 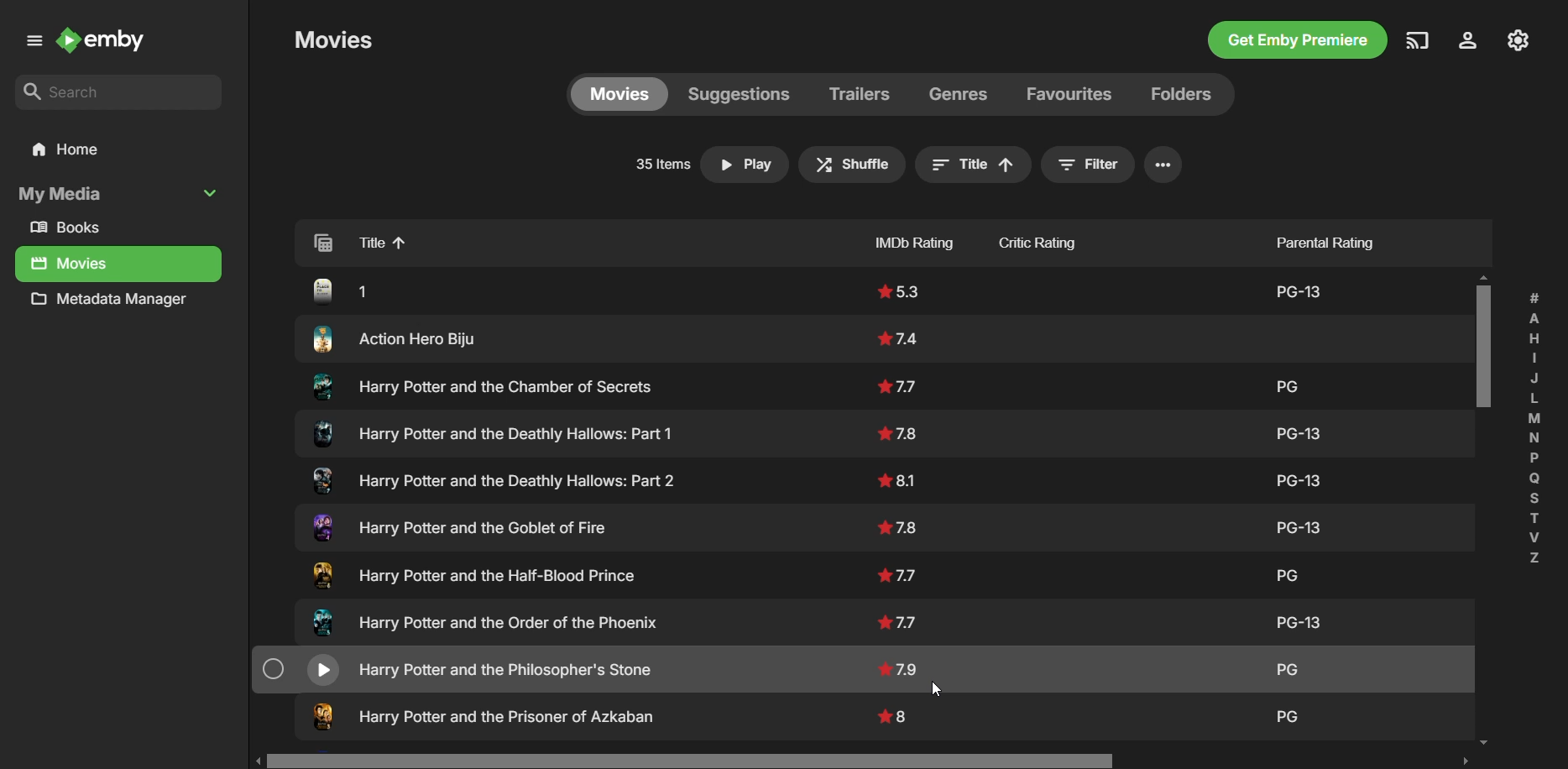 I want to click on , so click(x=461, y=666).